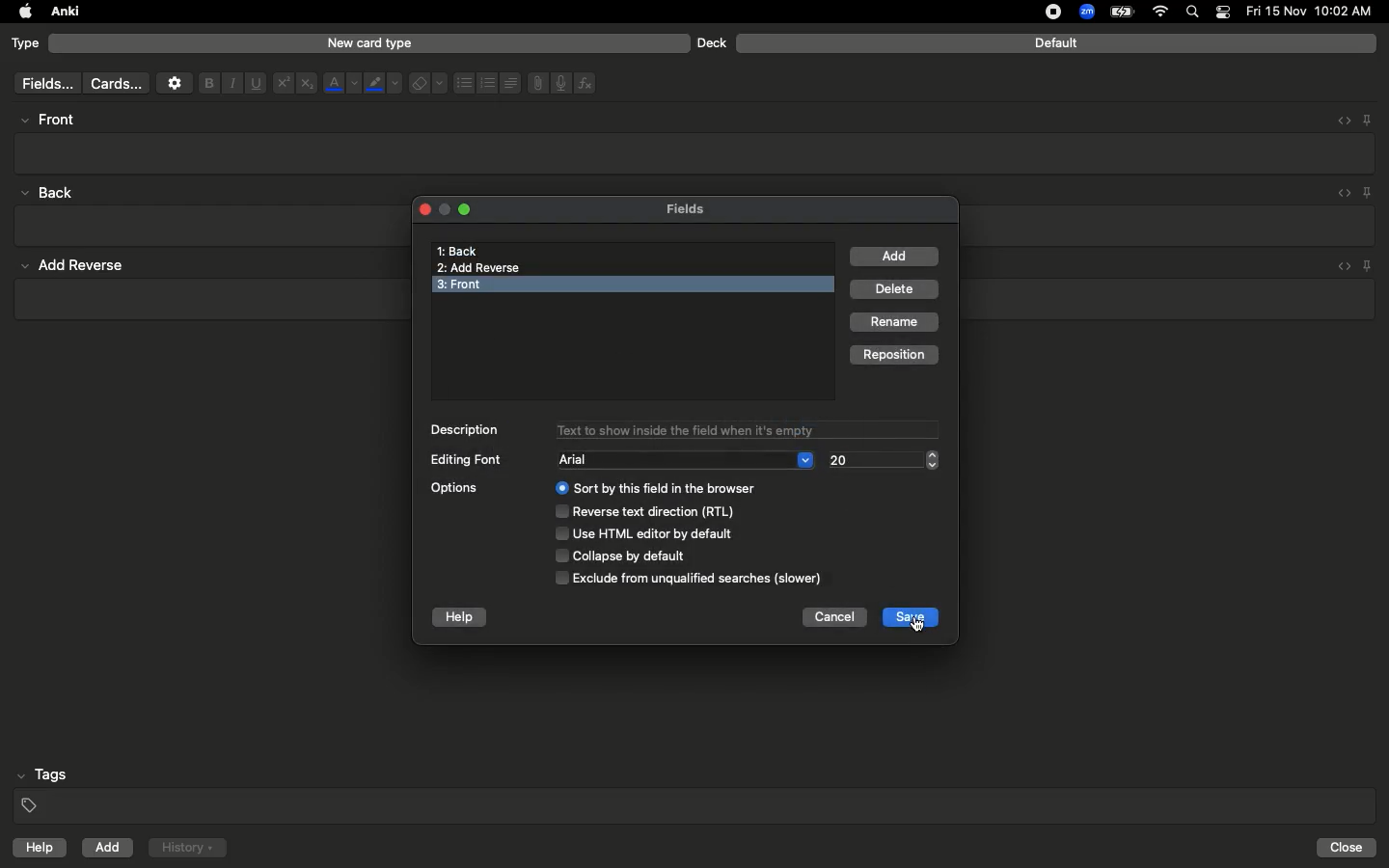 This screenshot has width=1389, height=868. What do you see at coordinates (909, 618) in the screenshot?
I see `Click on save` at bounding box center [909, 618].